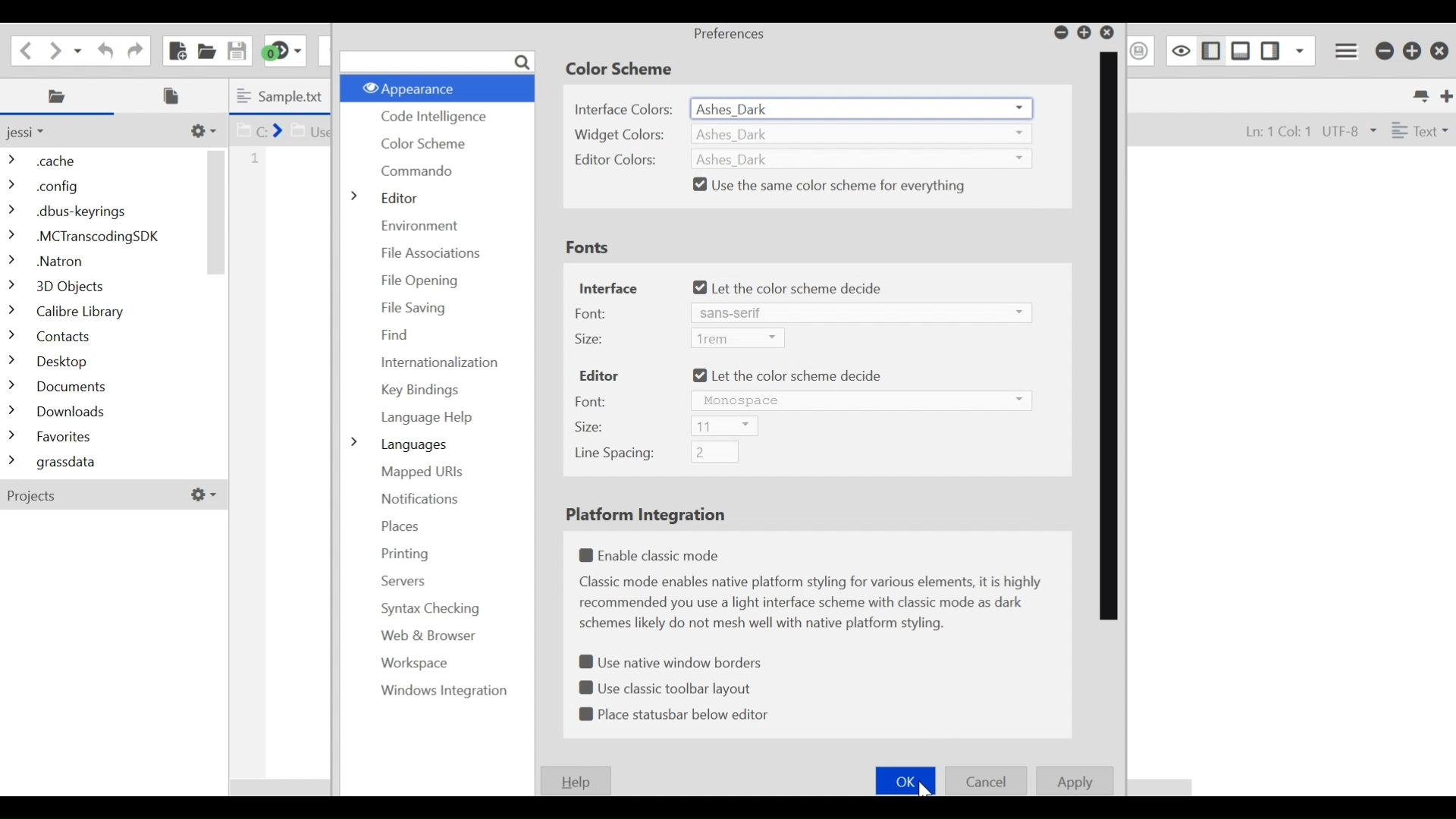 This screenshot has height=819, width=1456. Describe the element at coordinates (591, 401) in the screenshot. I see `Font` at that location.